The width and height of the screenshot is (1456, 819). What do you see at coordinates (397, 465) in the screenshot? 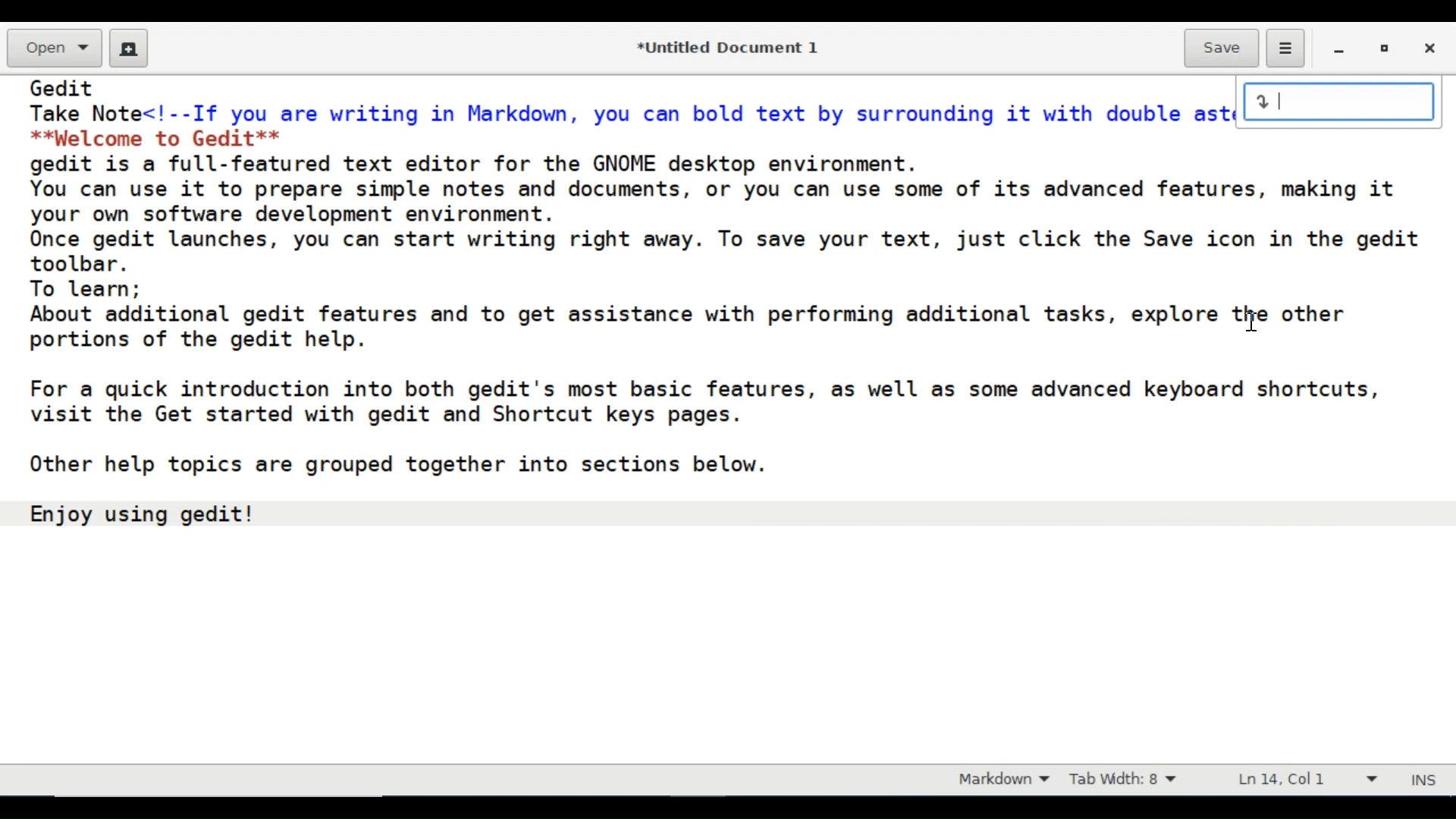
I see `Other help topics are grouped together into sections below.` at bounding box center [397, 465].